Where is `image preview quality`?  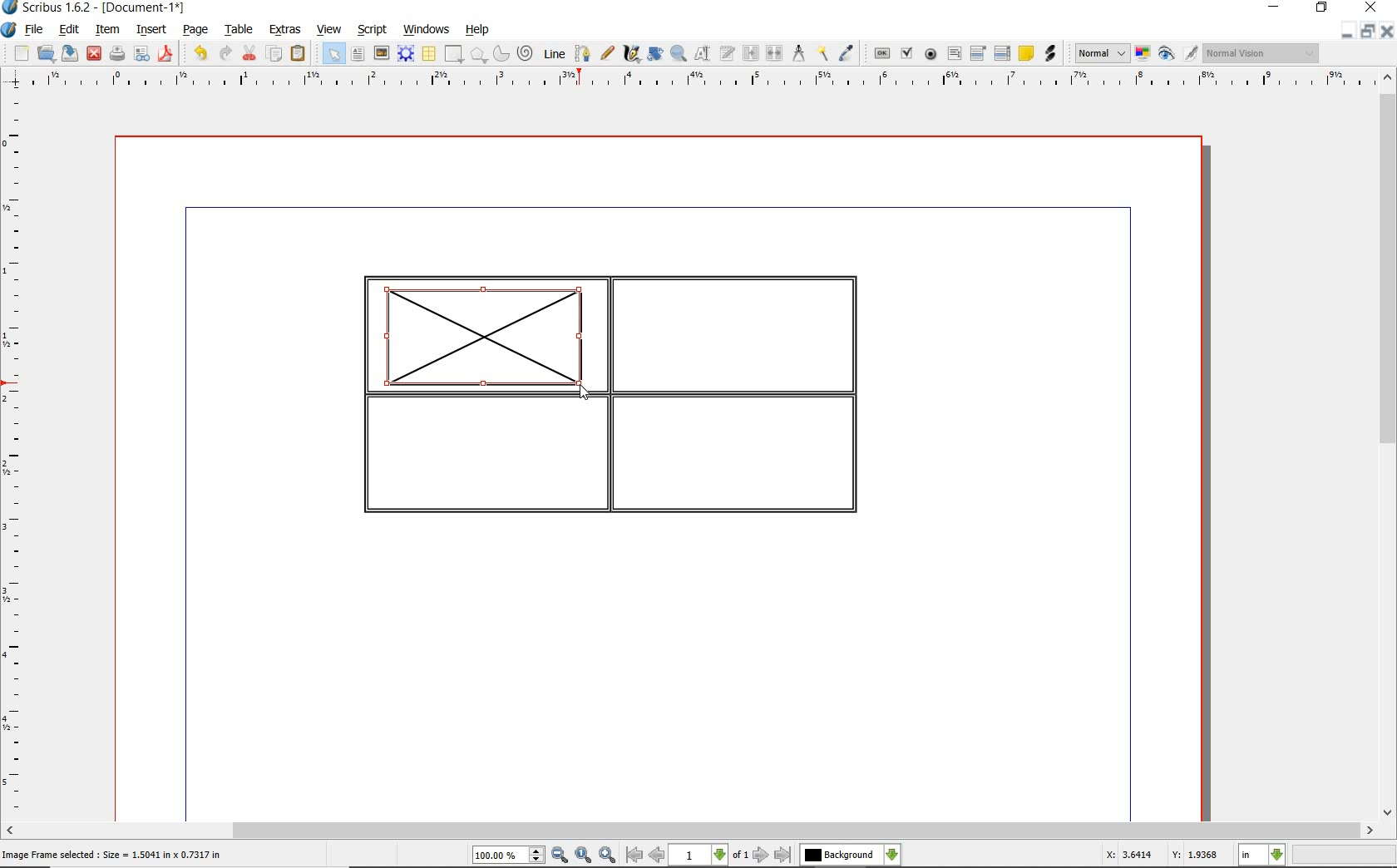 image preview quality is located at coordinates (1101, 52).